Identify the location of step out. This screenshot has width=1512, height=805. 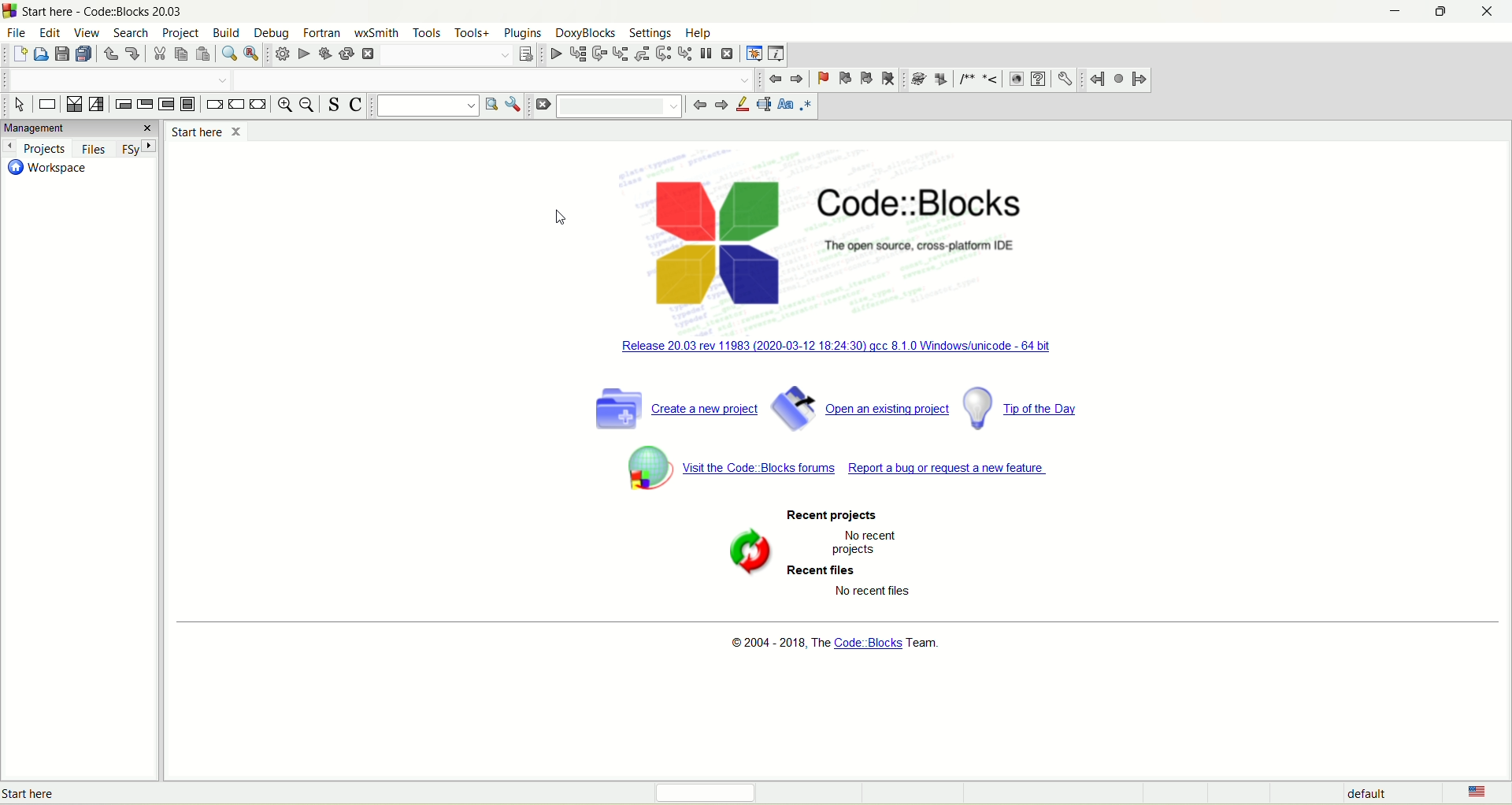
(643, 53).